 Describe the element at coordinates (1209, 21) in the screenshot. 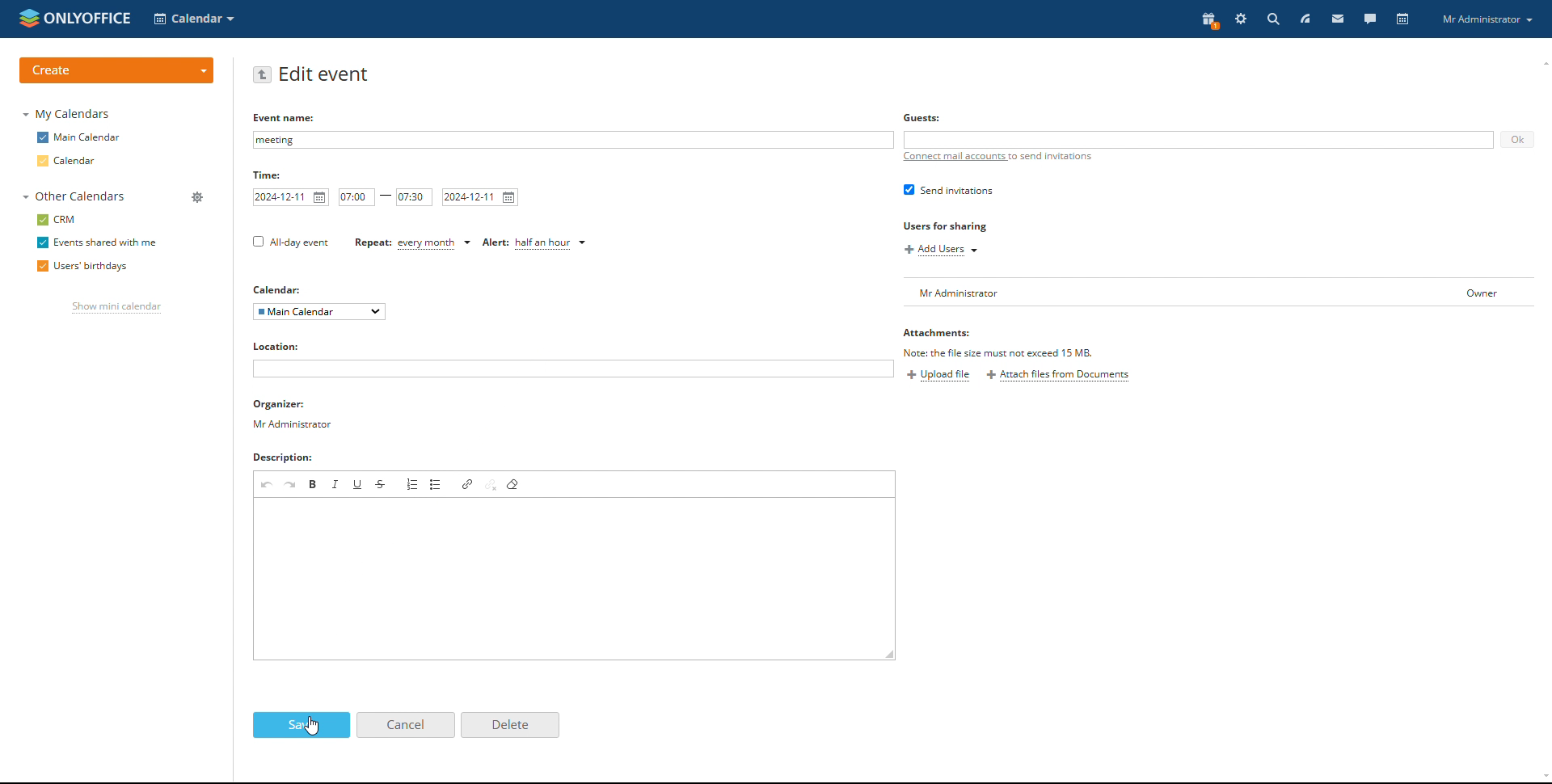

I see `present` at that location.